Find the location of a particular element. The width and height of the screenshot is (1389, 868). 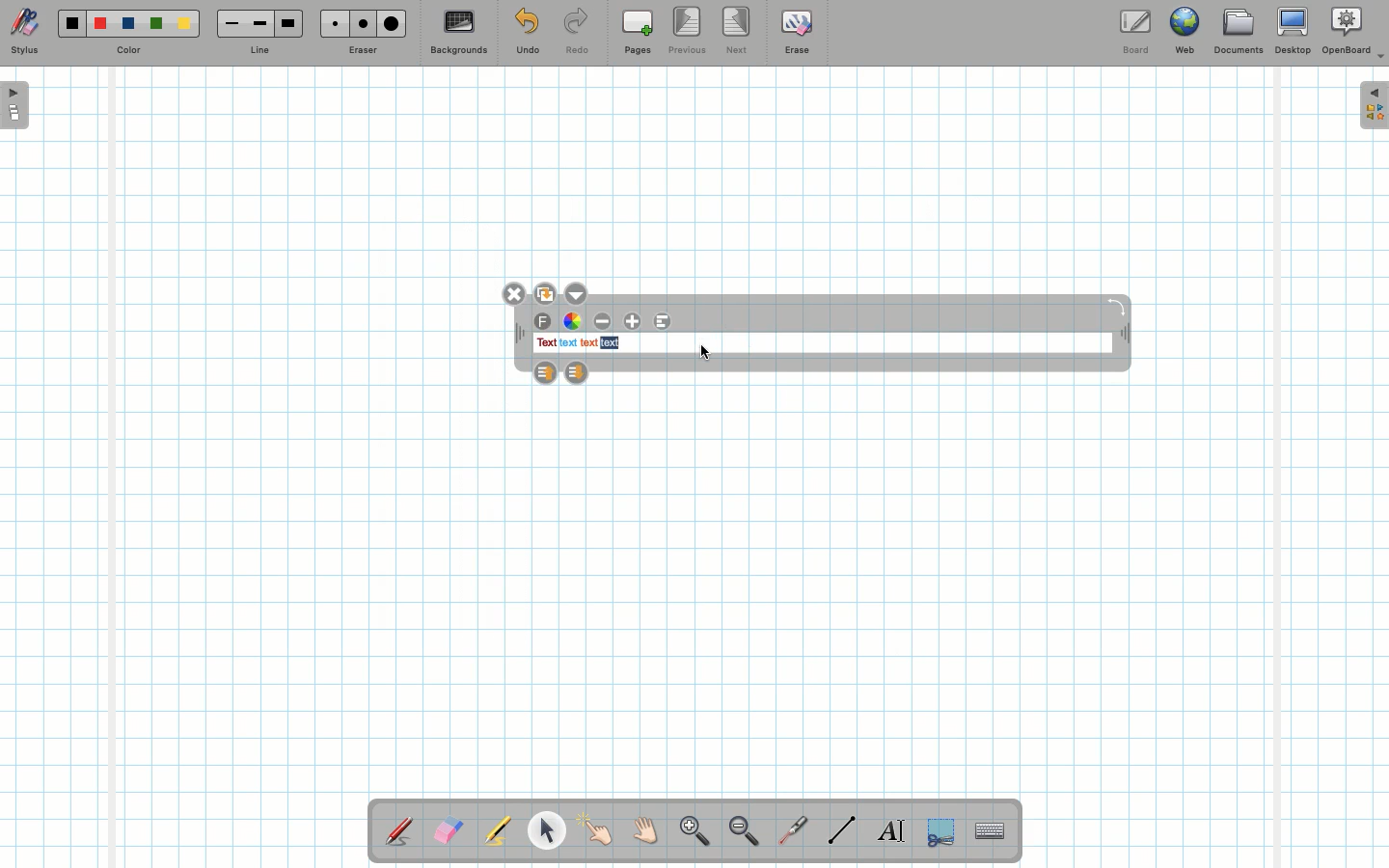

Green is located at coordinates (156, 25).